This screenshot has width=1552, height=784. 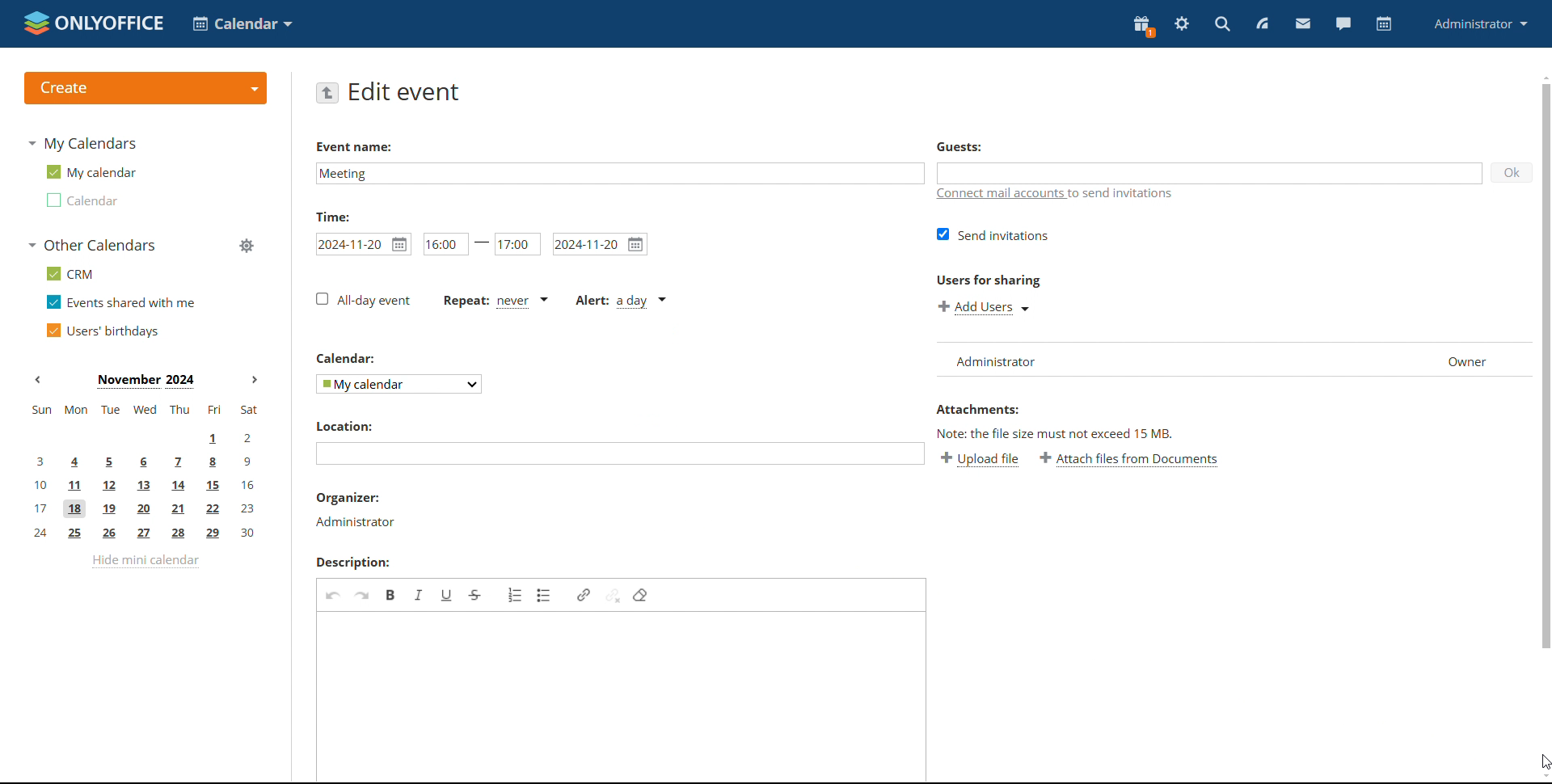 What do you see at coordinates (145, 472) in the screenshot?
I see `mini calendar` at bounding box center [145, 472].